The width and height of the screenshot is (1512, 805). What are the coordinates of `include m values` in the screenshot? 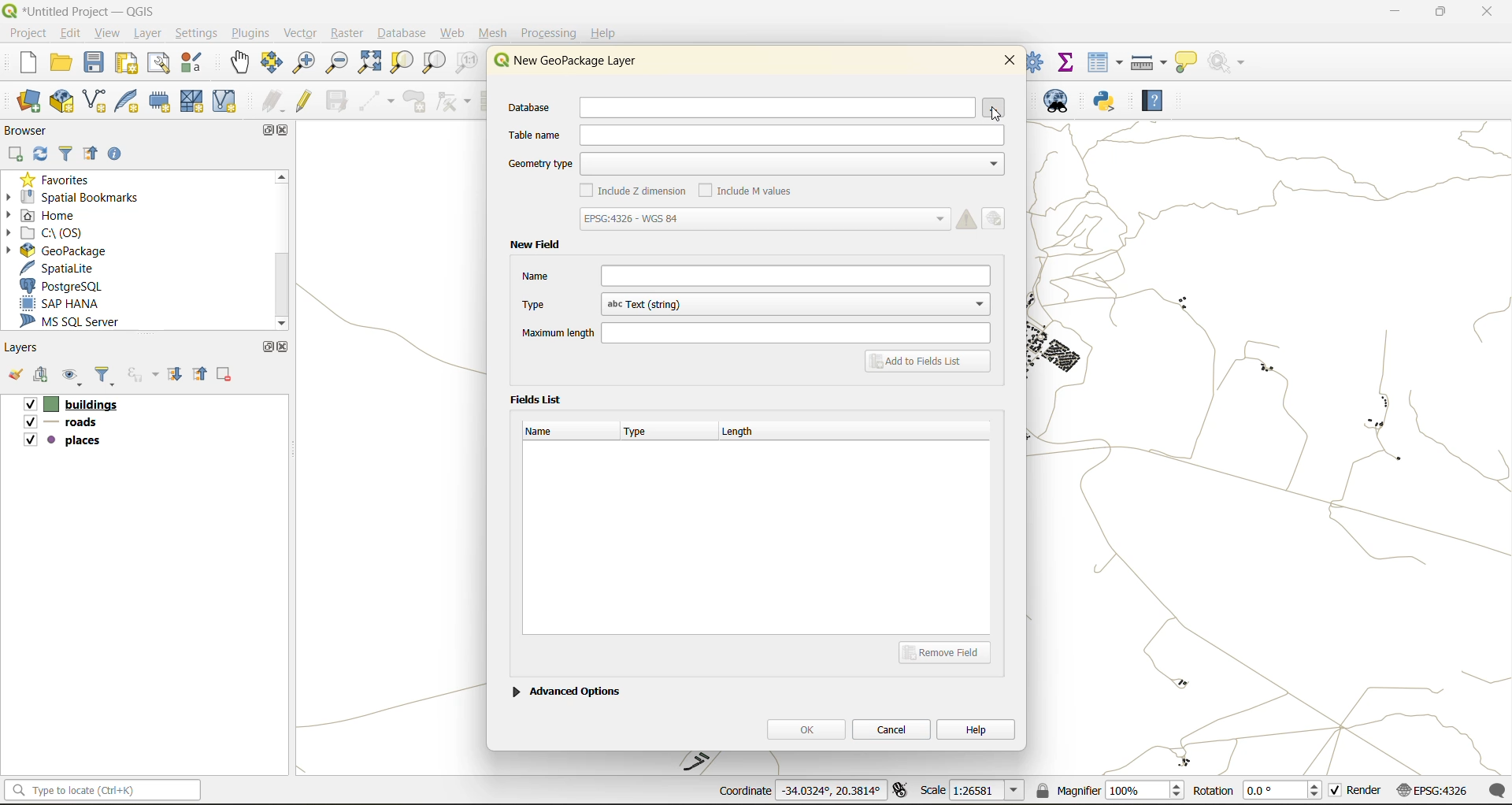 It's located at (750, 189).